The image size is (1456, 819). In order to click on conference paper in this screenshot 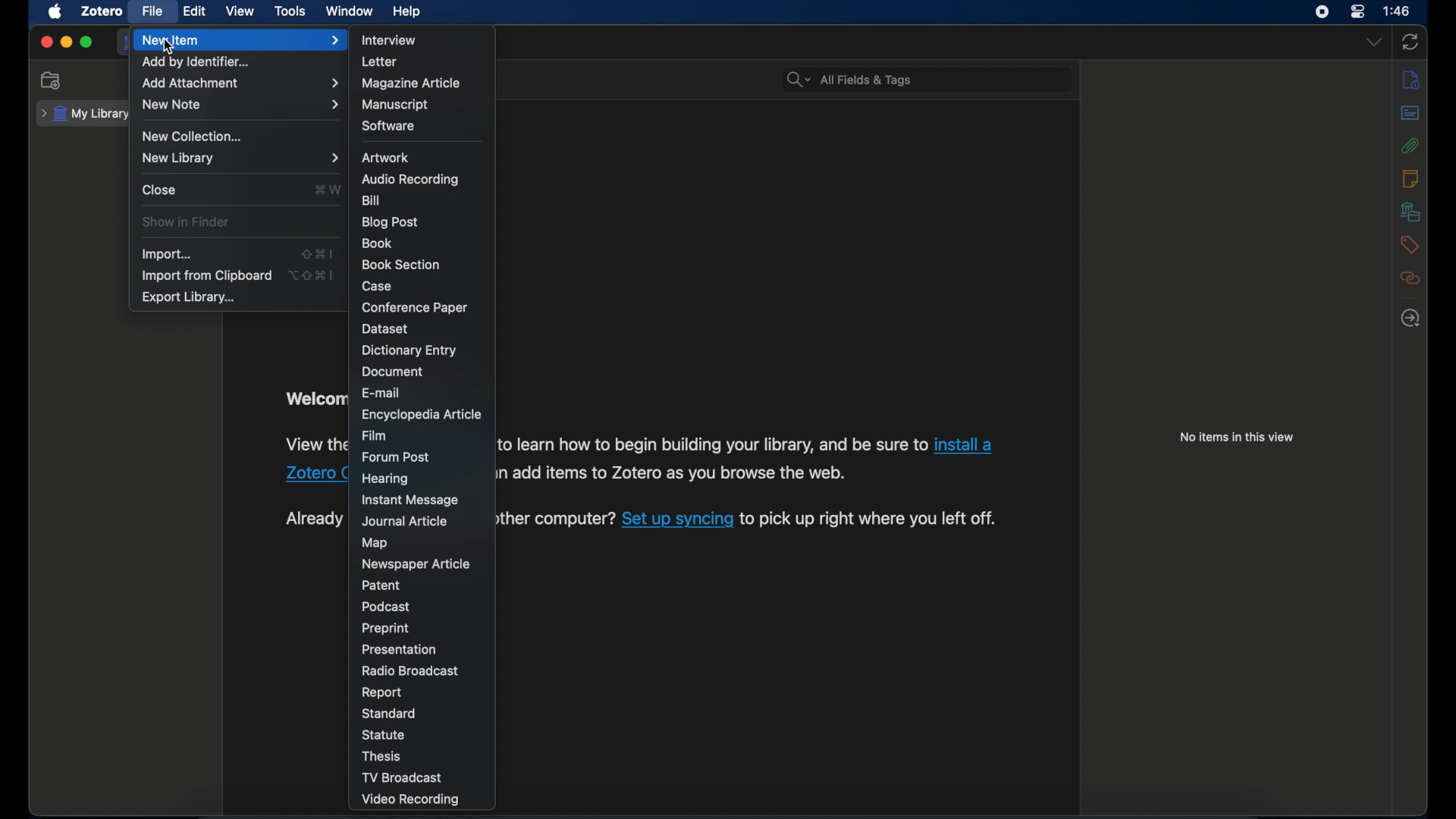, I will do `click(414, 309)`.